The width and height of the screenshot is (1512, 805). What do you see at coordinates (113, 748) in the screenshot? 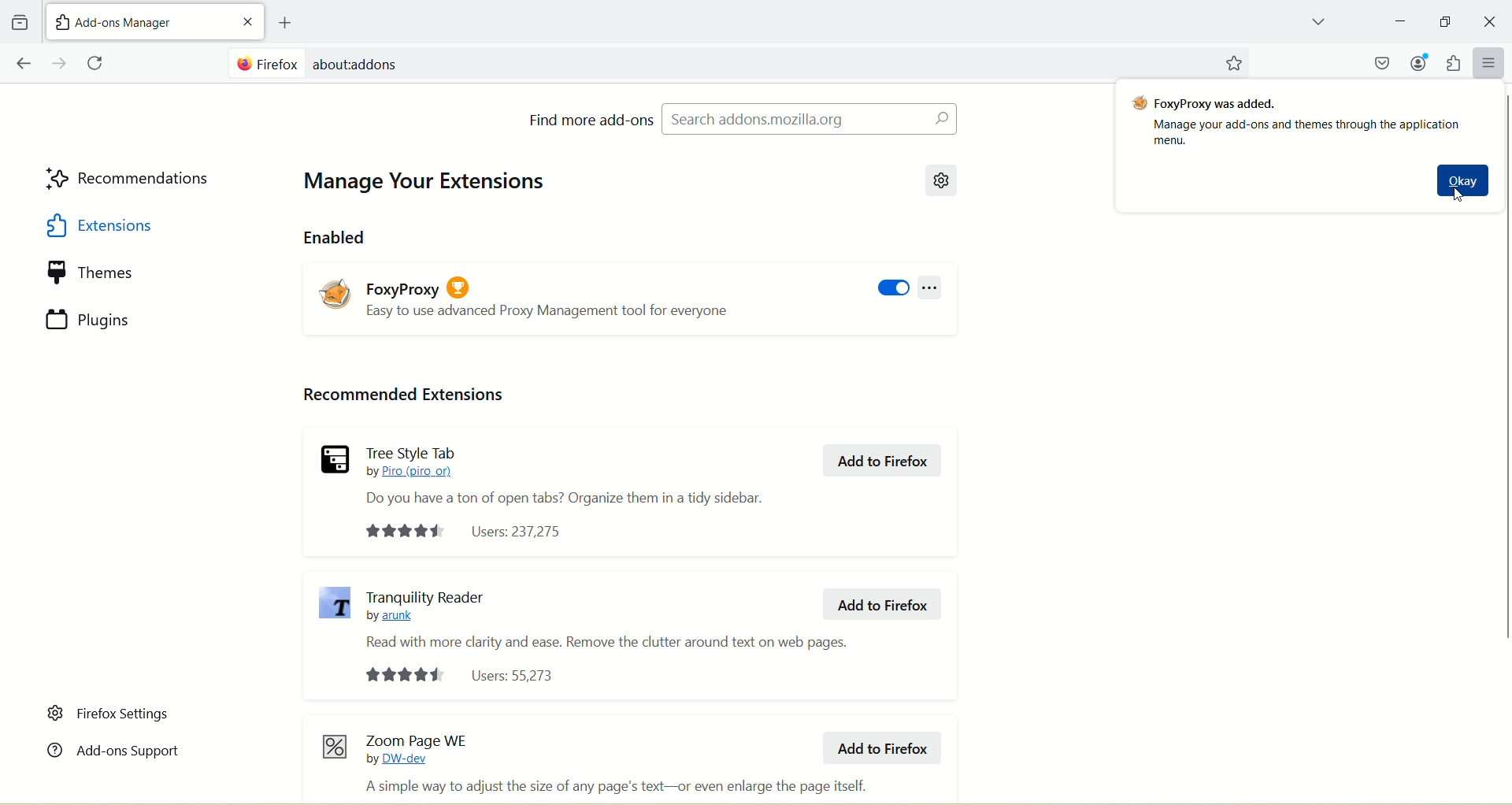
I see `Add-ons Support` at bounding box center [113, 748].